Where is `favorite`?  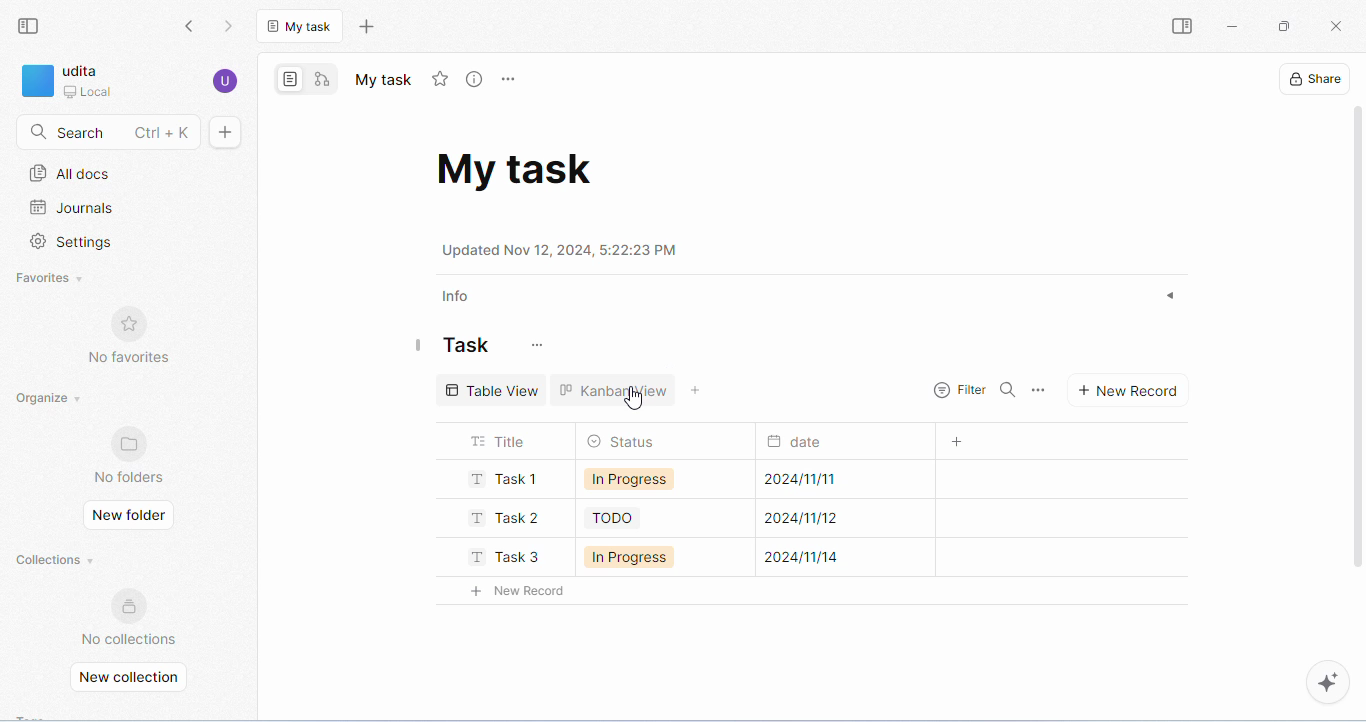 favorite is located at coordinates (442, 79).